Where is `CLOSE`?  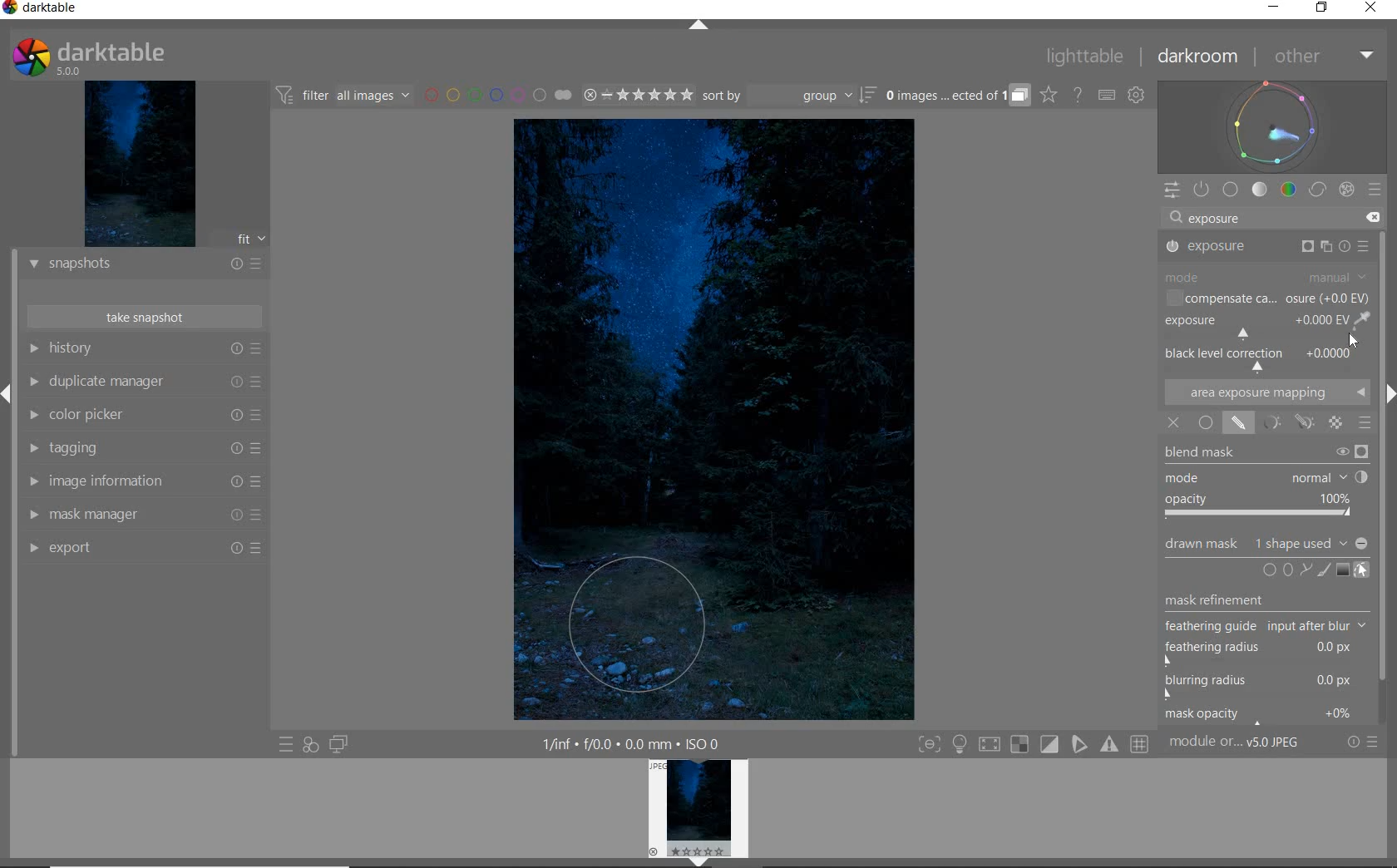
CLOSE is located at coordinates (1370, 10).